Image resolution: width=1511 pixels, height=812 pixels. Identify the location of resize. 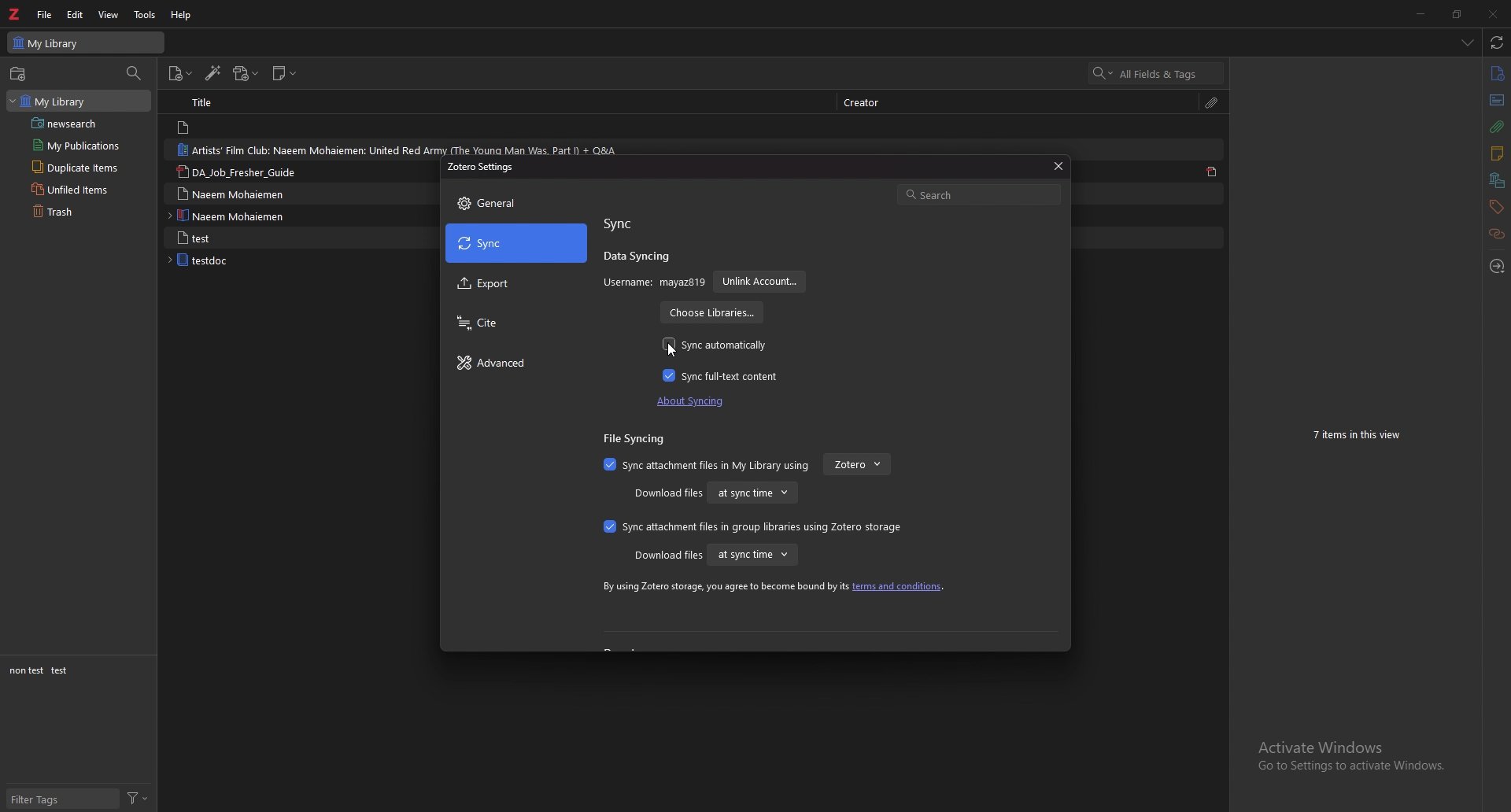
(1456, 14).